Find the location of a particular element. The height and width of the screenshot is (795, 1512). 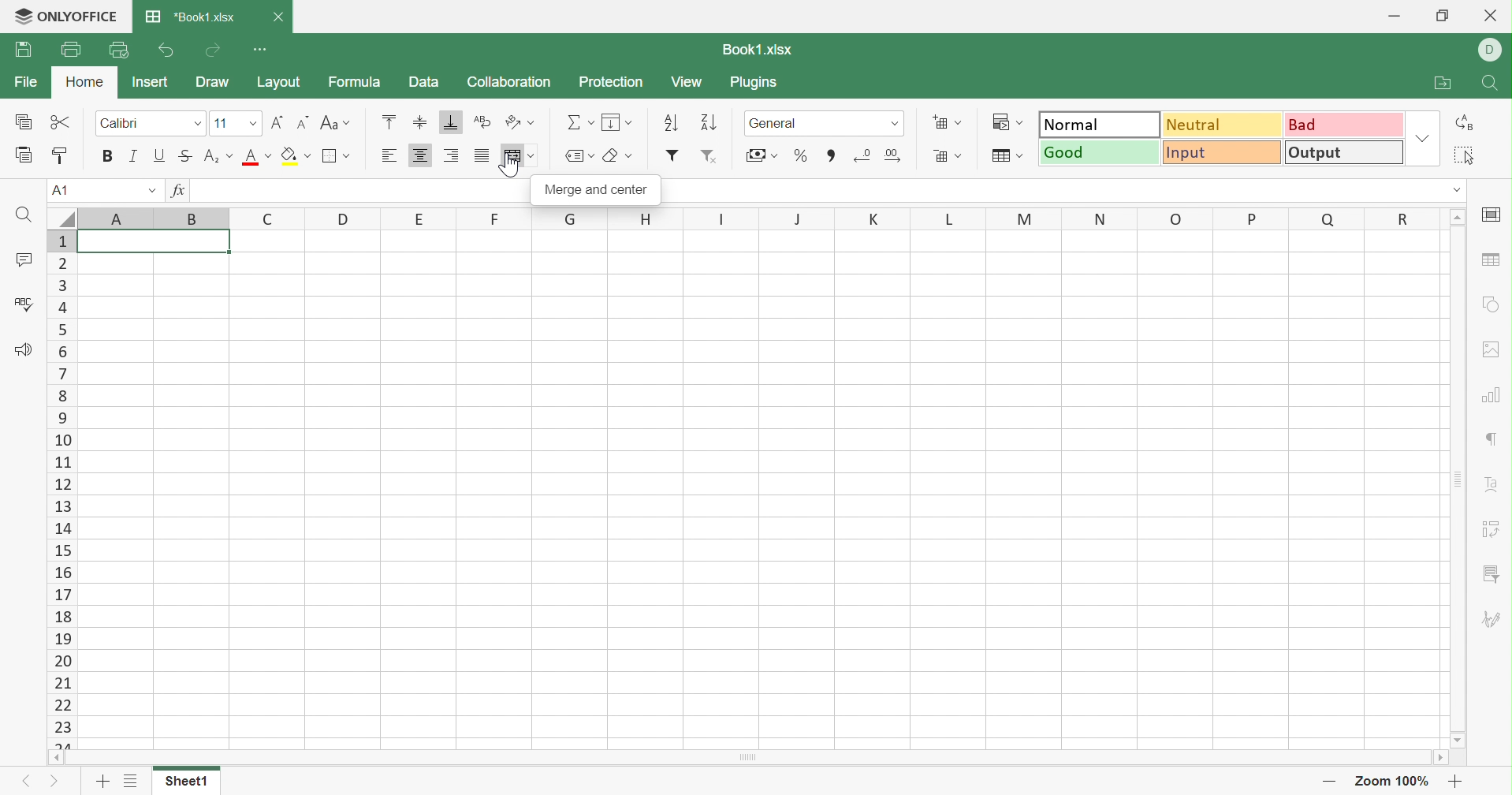

Data is located at coordinates (423, 81).